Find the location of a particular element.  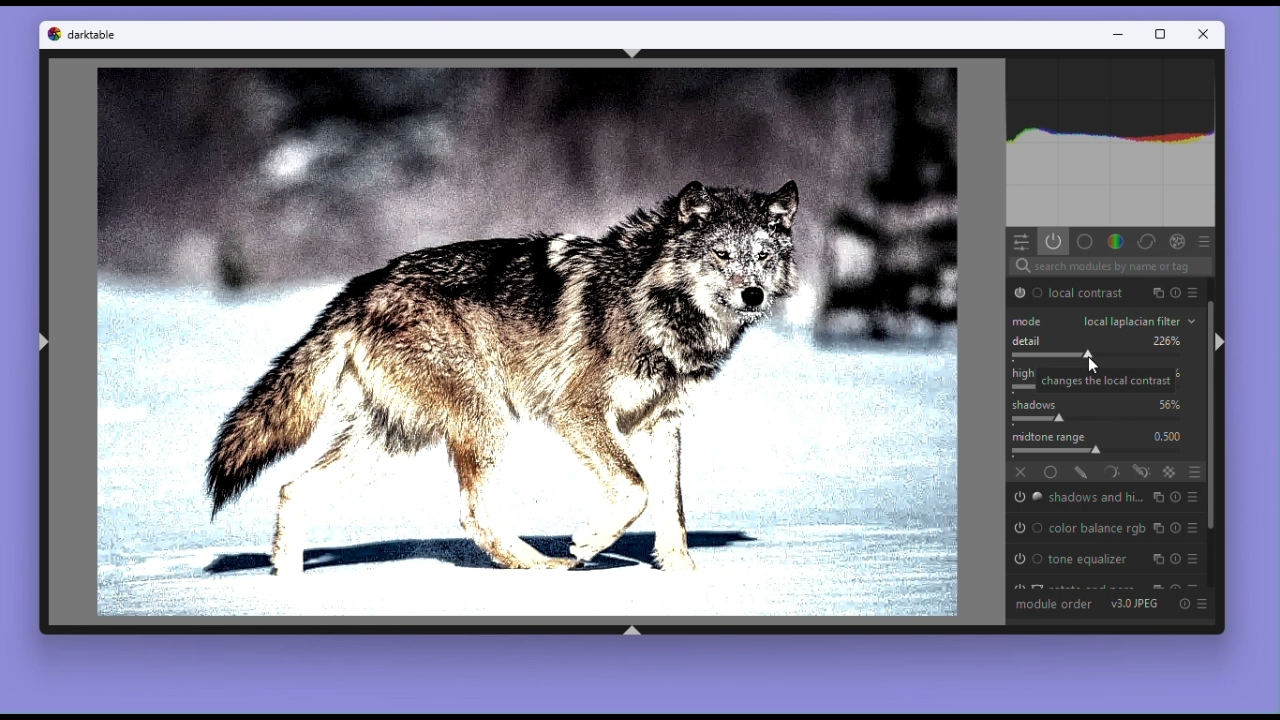

raster mask is located at coordinates (1170, 472).